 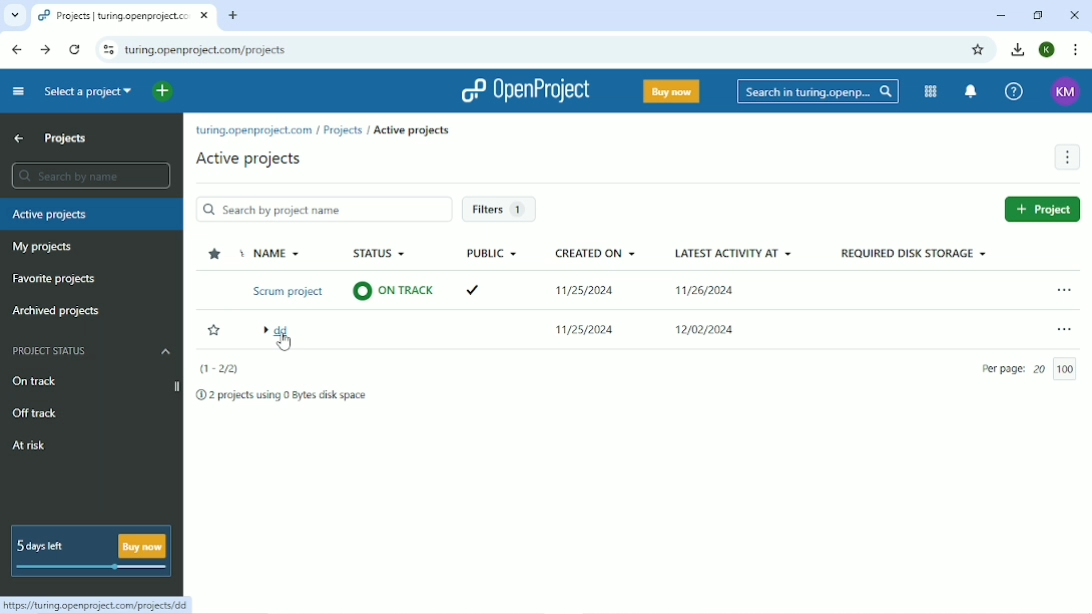 What do you see at coordinates (35, 414) in the screenshot?
I see `Off track` at bounding box center [35, 414].